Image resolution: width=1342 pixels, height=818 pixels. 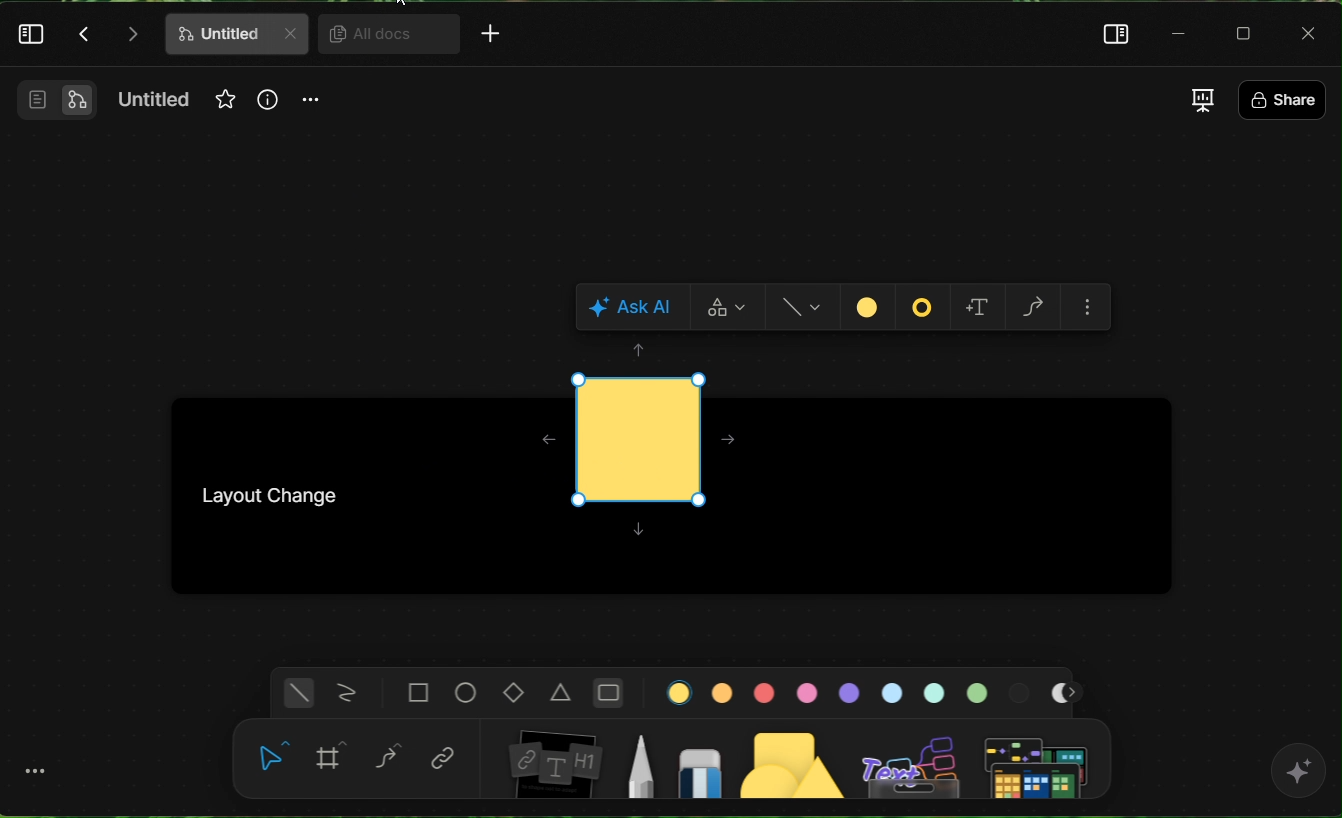 I want to click on more, so click(x=312, y=106).